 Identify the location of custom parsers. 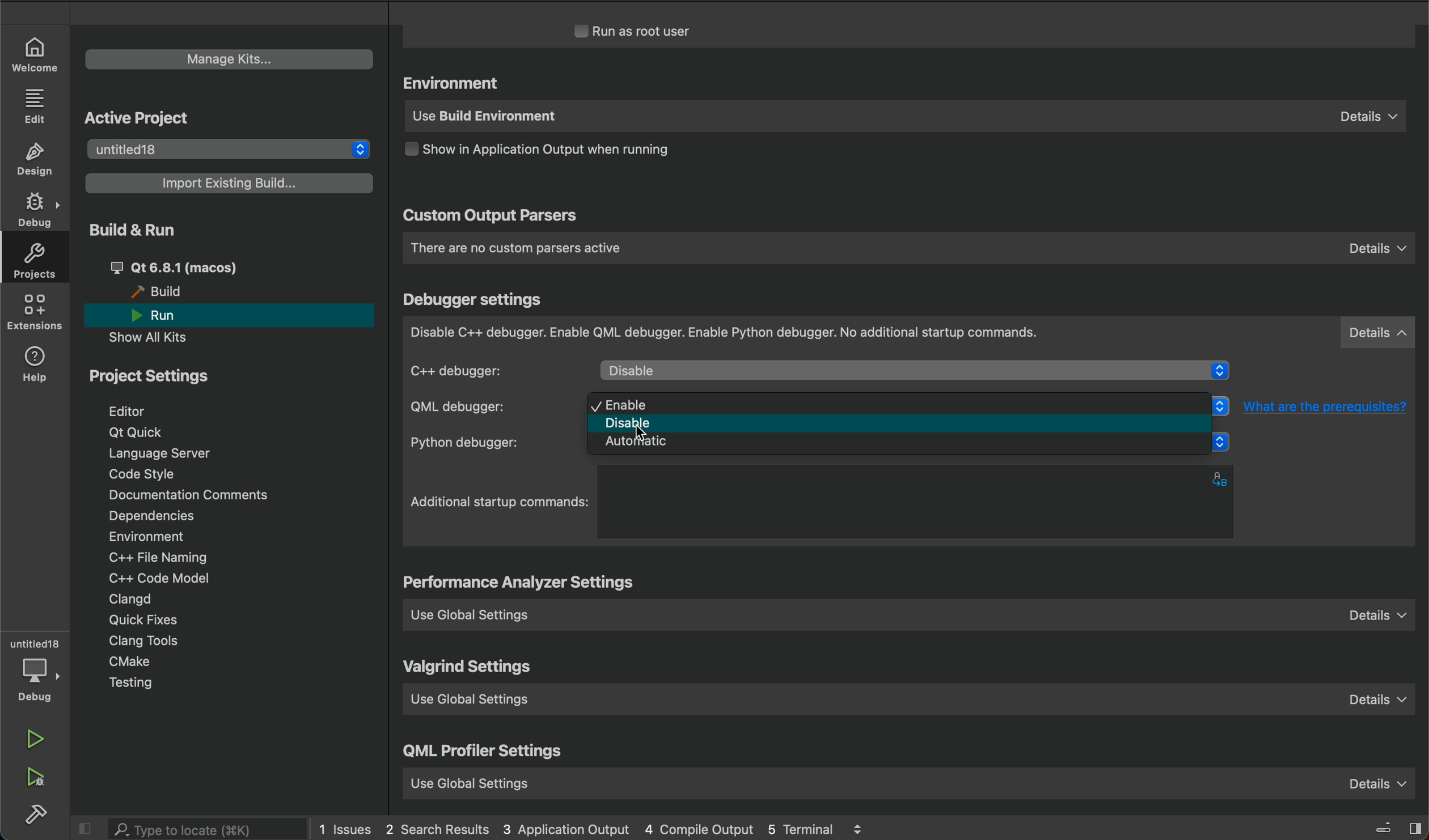
(908, 248).